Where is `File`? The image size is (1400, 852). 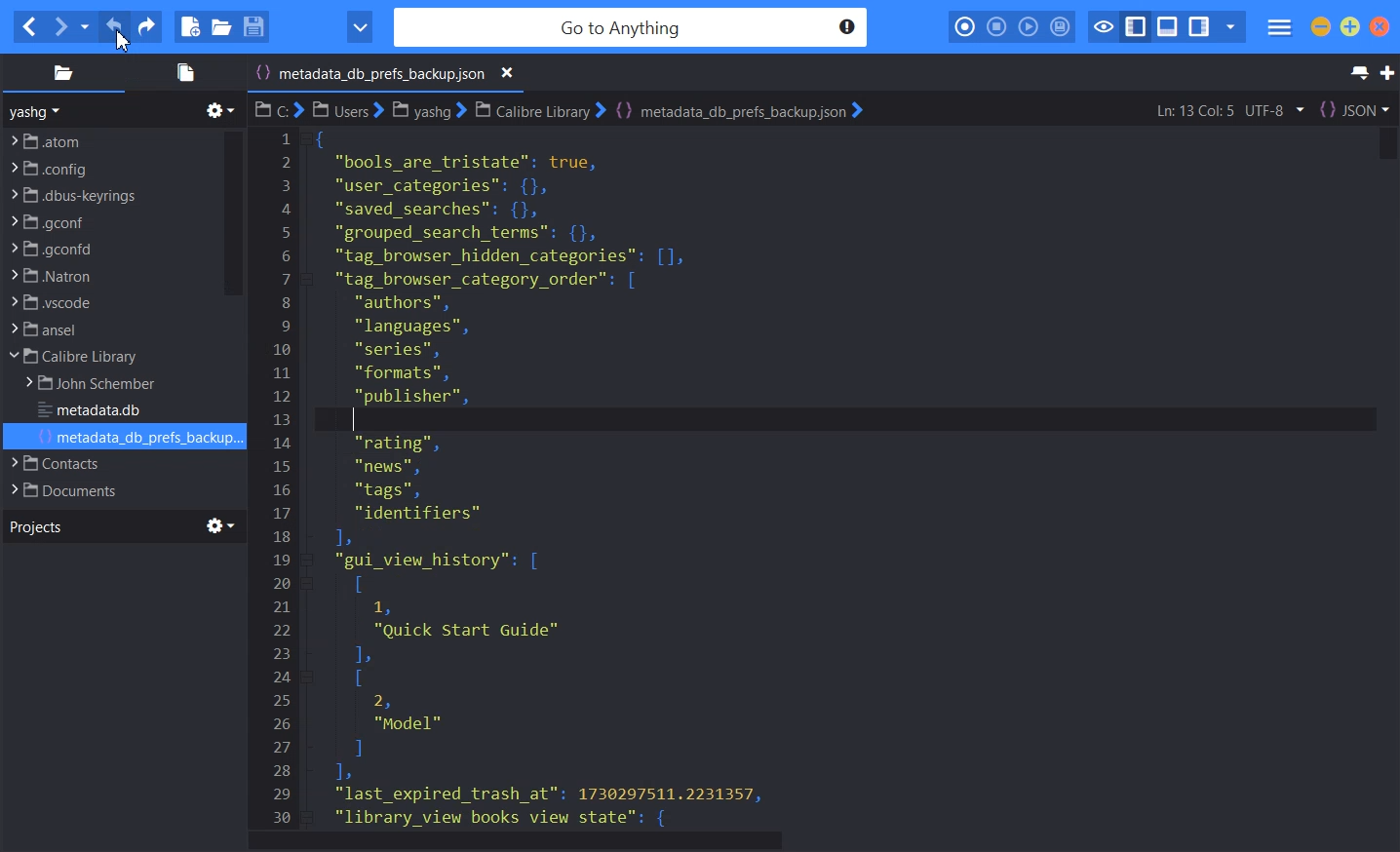 File is located at coordinates (108, 329).